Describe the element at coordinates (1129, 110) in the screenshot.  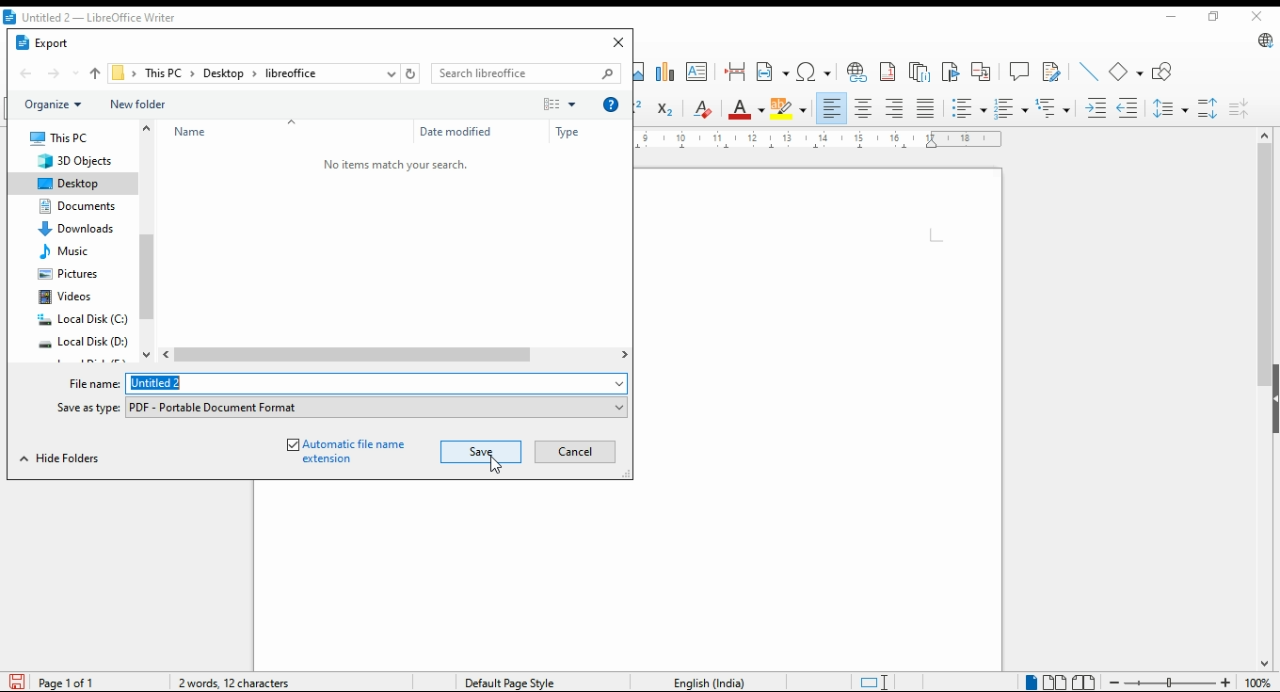
I see `decrease indent` at that location.